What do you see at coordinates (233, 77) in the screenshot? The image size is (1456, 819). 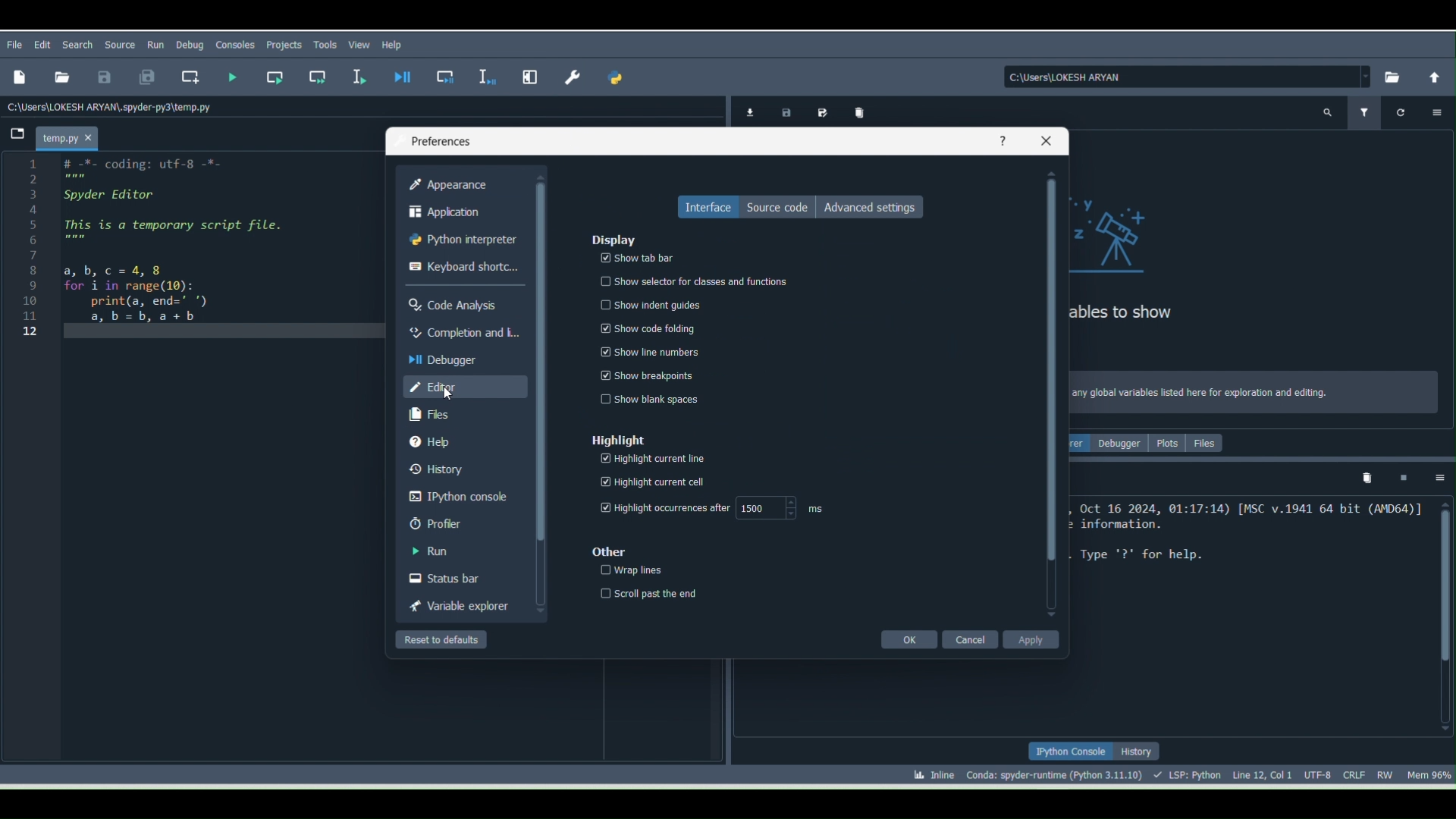 I see `Run file (F5)` at bounding box center [233, 77].